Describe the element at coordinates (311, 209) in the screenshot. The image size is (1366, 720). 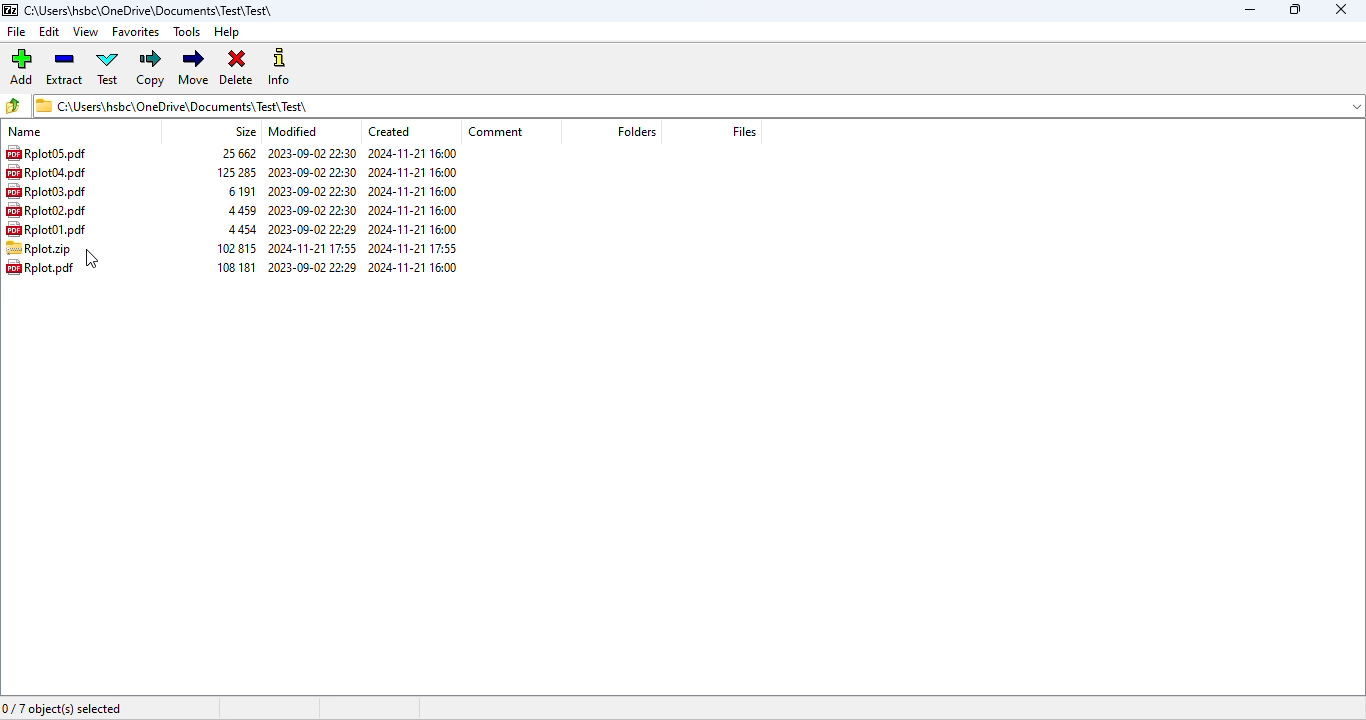
I see `2023-09-02 22:30` at that location.